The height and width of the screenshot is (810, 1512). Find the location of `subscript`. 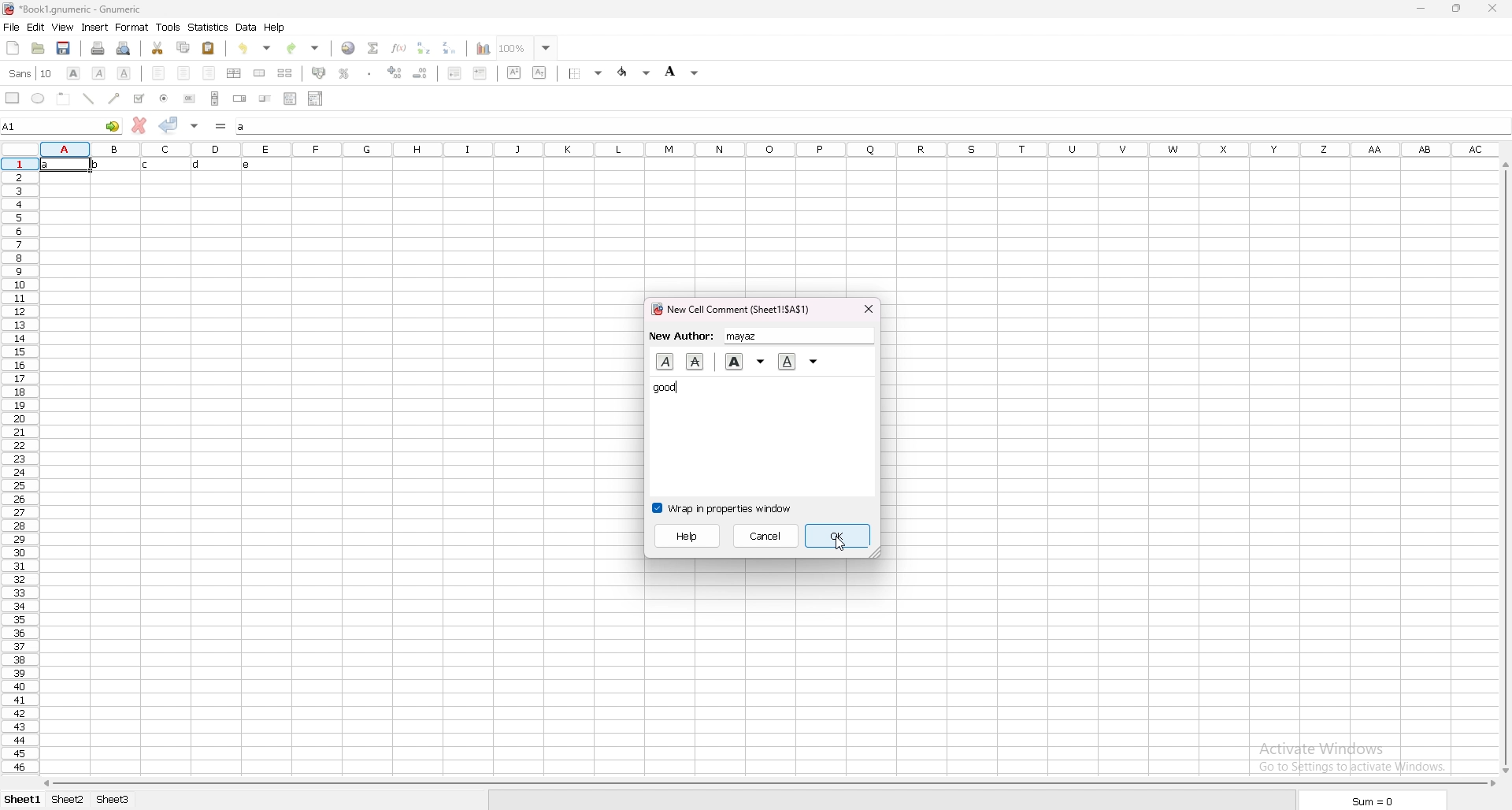

subscript is located at coordinates (539, 73).